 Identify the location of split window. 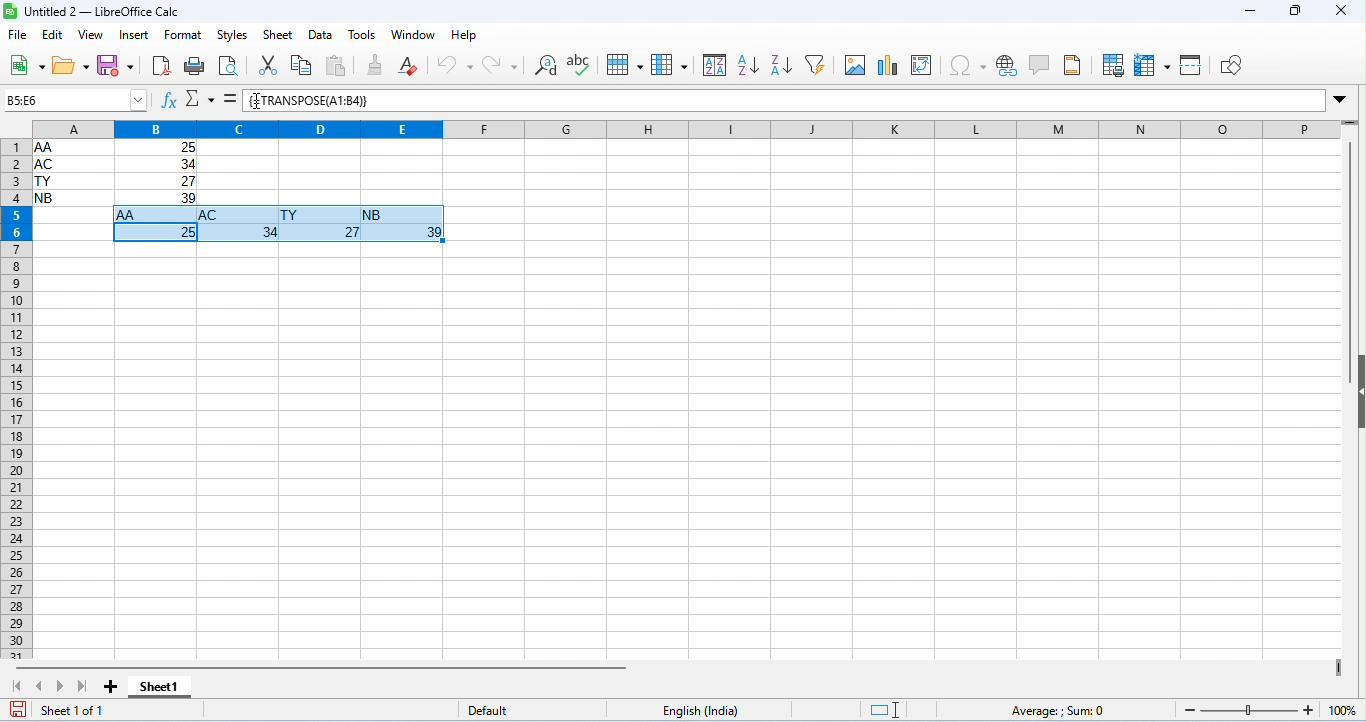
(1192, 64).